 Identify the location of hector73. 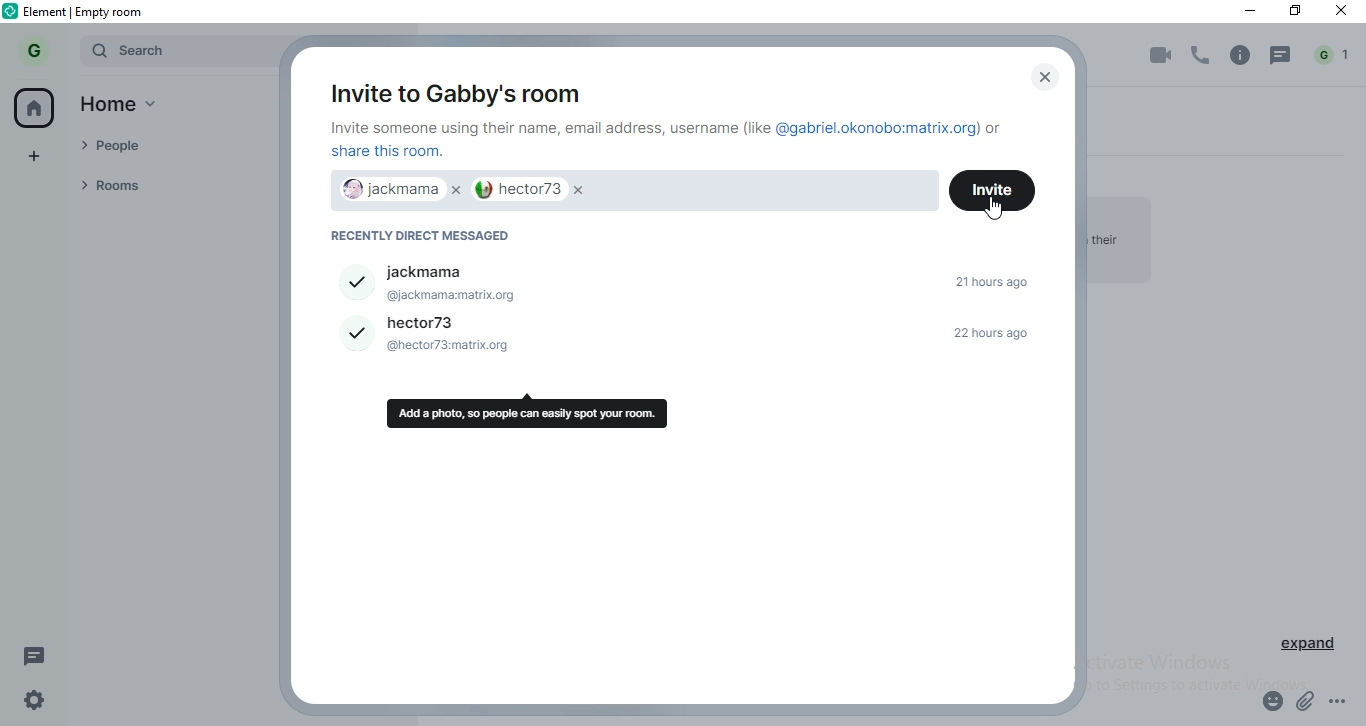
(687, 342).